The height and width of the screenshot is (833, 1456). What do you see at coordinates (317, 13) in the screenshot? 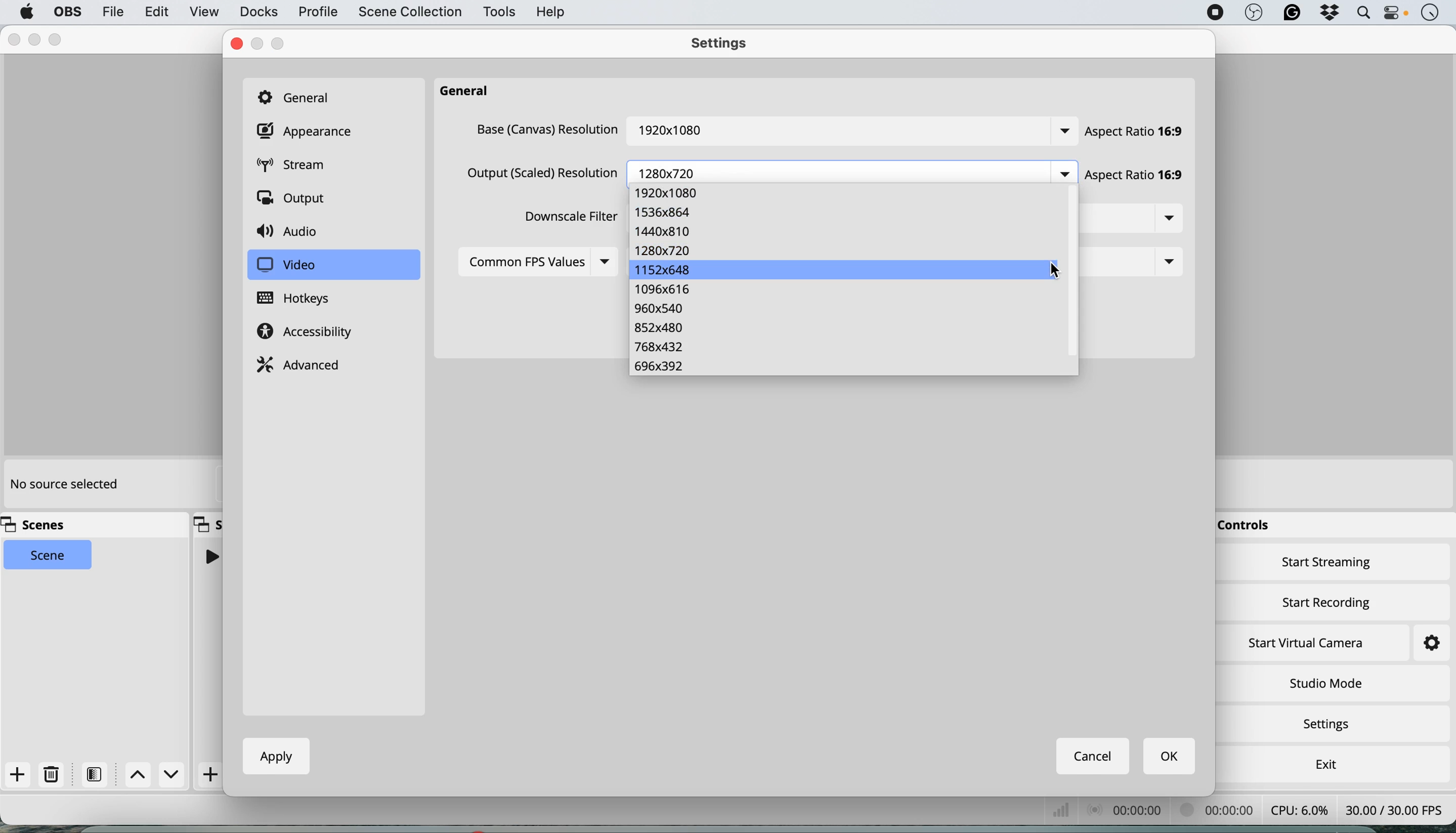
I see `profile` at bounding box center [317, 13].